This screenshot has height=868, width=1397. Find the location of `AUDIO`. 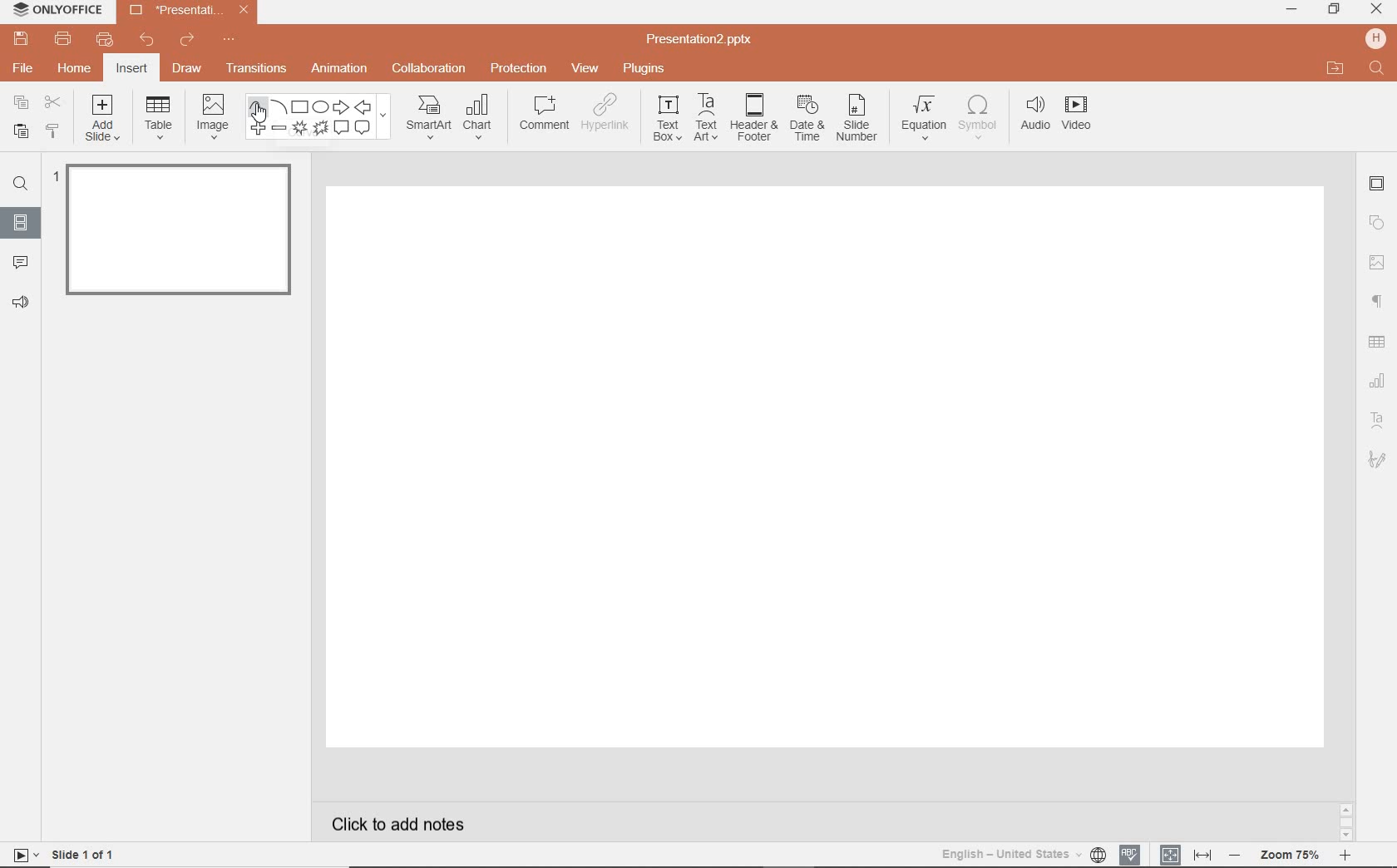

AUDIO is located at coordinates (1036, 114).